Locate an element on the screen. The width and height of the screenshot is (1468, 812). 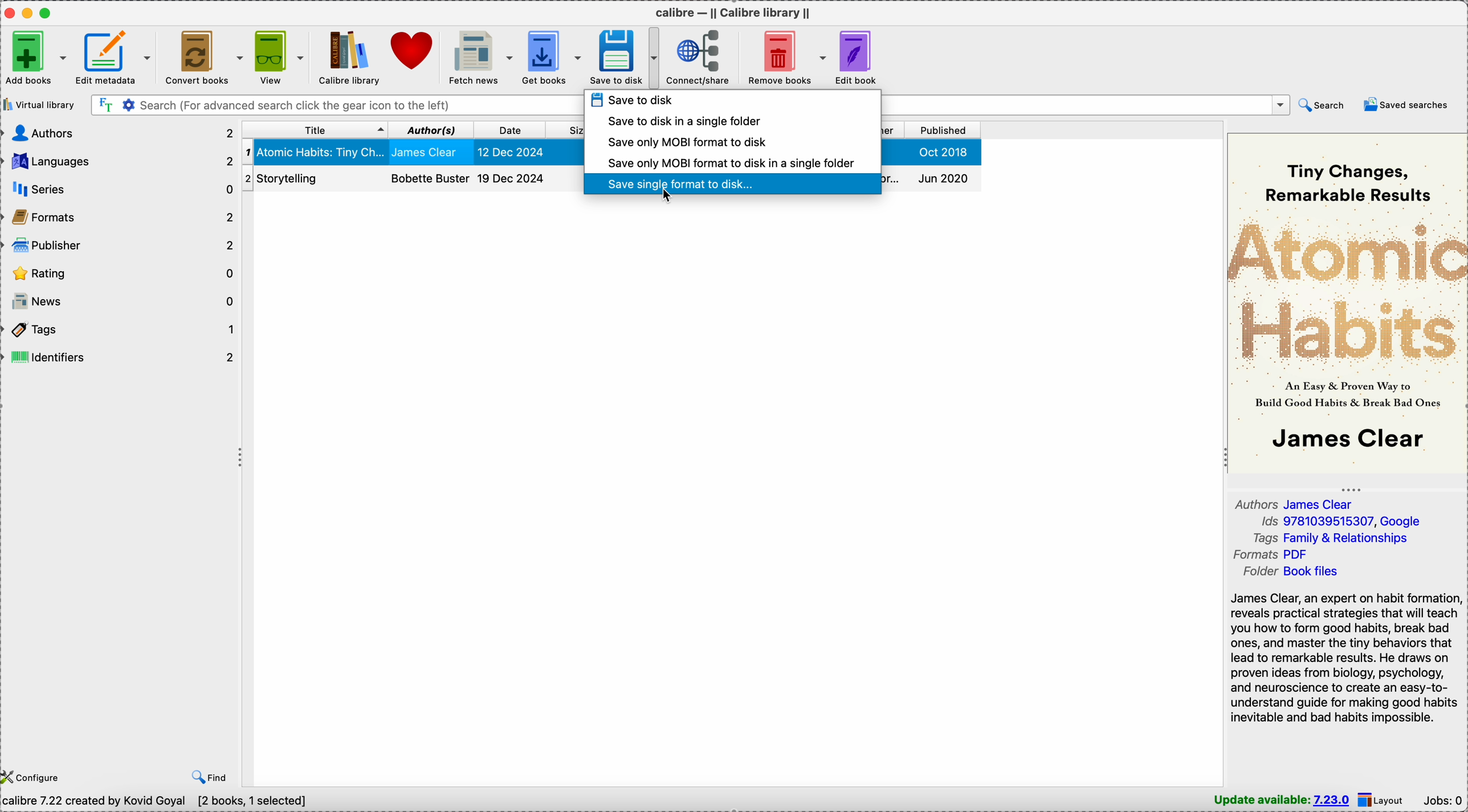
Calibre - || Calibre library || is located at coordinates (737, 12).